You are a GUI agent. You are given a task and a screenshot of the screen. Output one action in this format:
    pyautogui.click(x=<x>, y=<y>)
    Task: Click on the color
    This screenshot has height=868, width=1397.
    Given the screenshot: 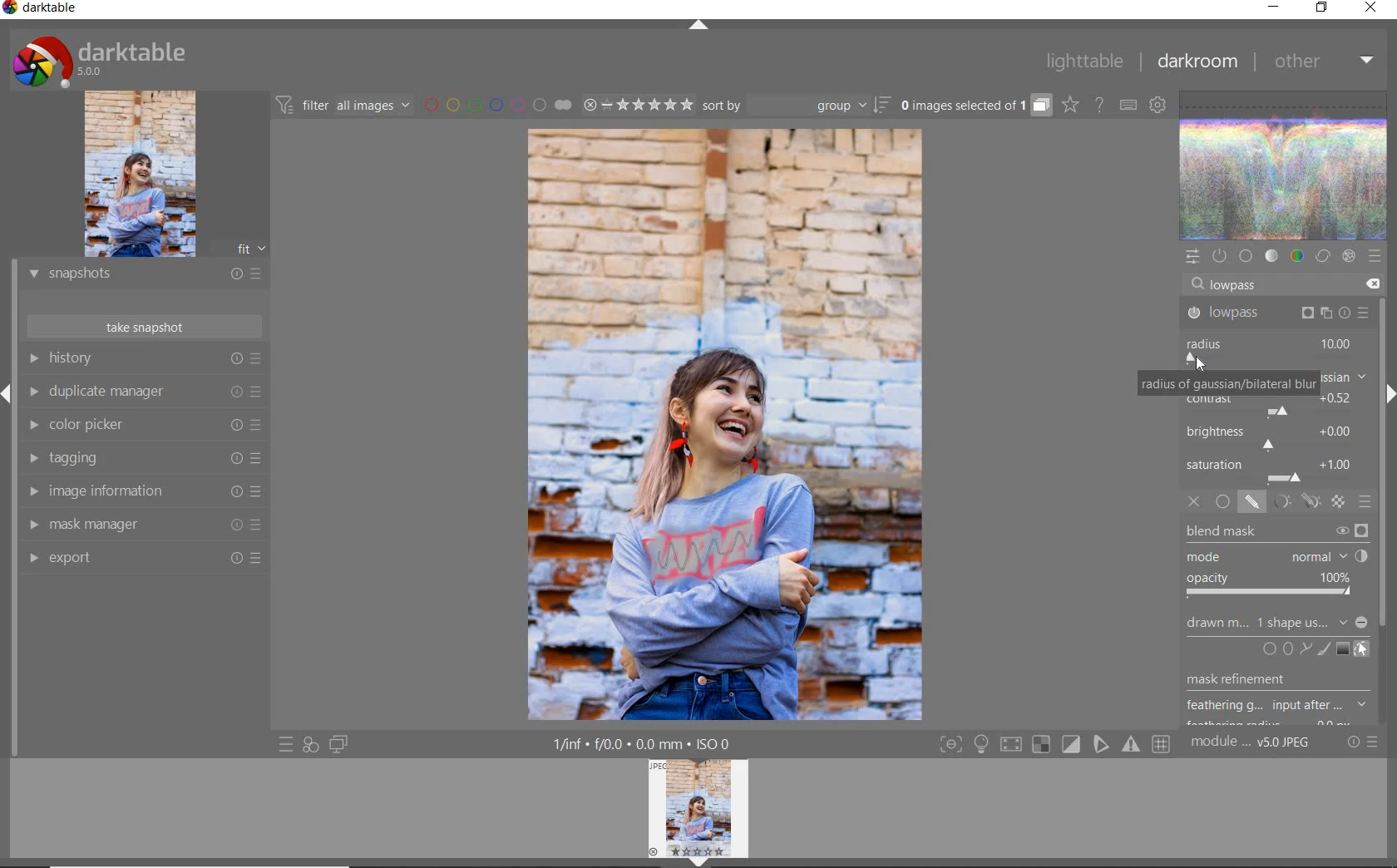 What is the action you would take?
    pyautogui.click(x=1296, y=257)
    